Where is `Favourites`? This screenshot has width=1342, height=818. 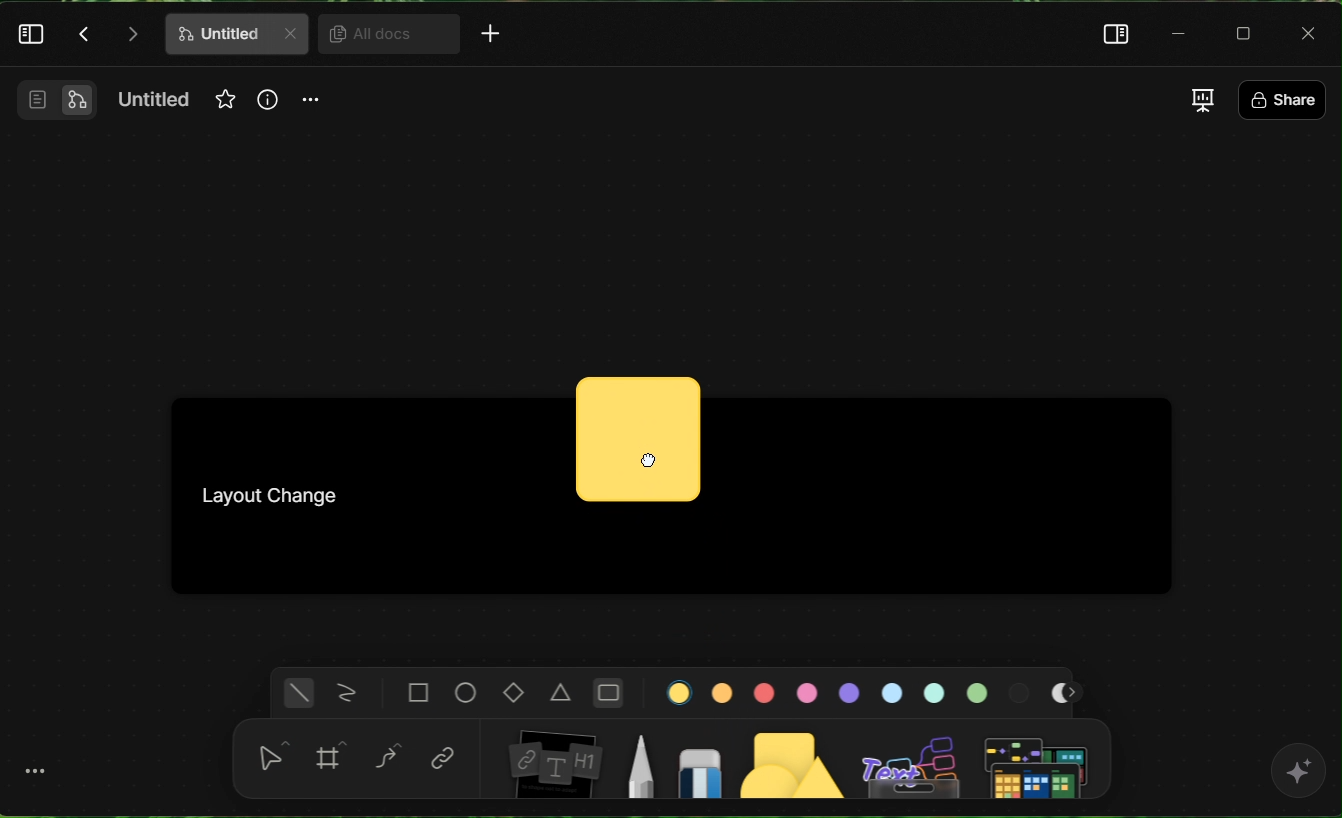 Favourites is located at coordinates (223, 98).